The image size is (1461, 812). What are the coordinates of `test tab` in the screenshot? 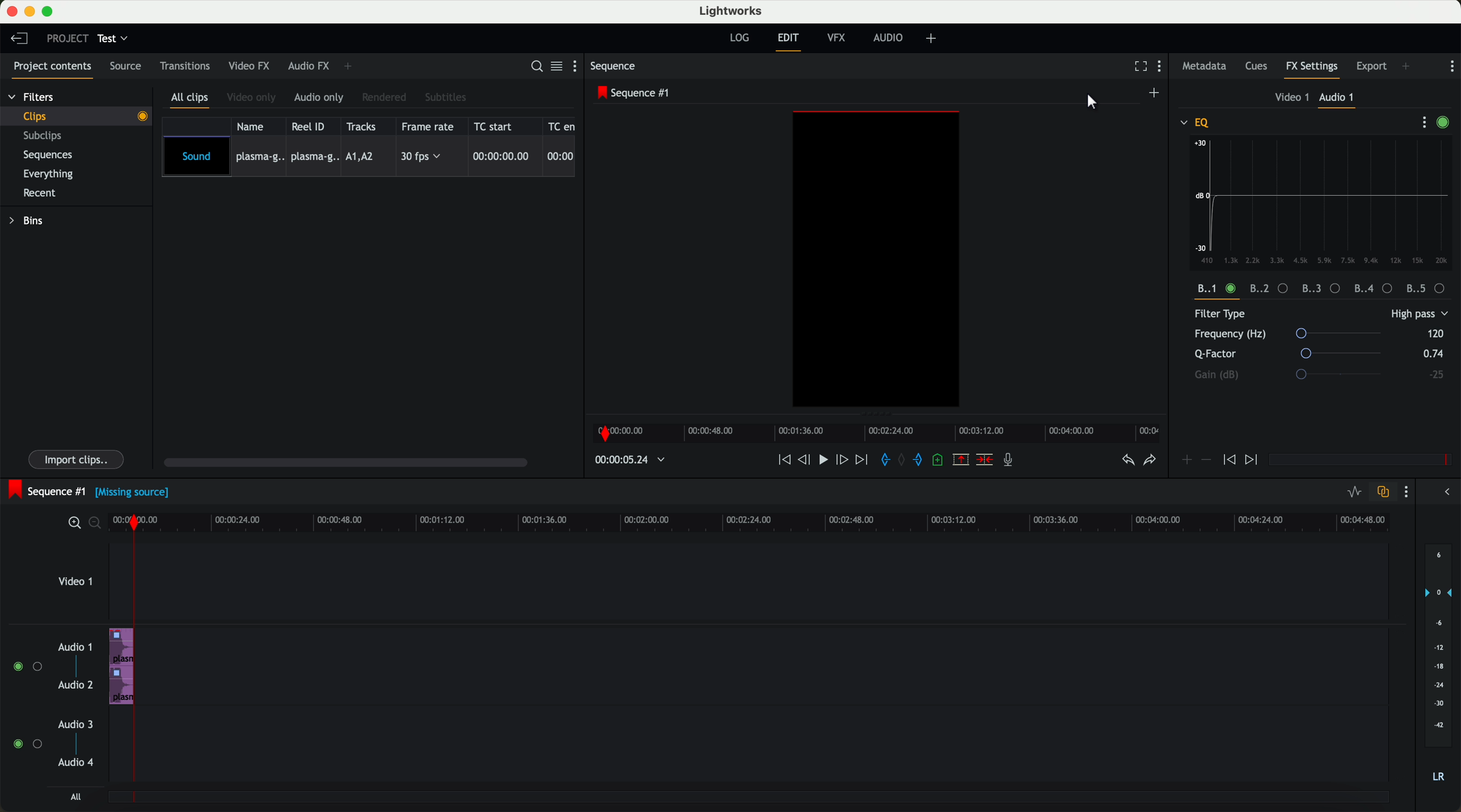 It's located at (114, 36).